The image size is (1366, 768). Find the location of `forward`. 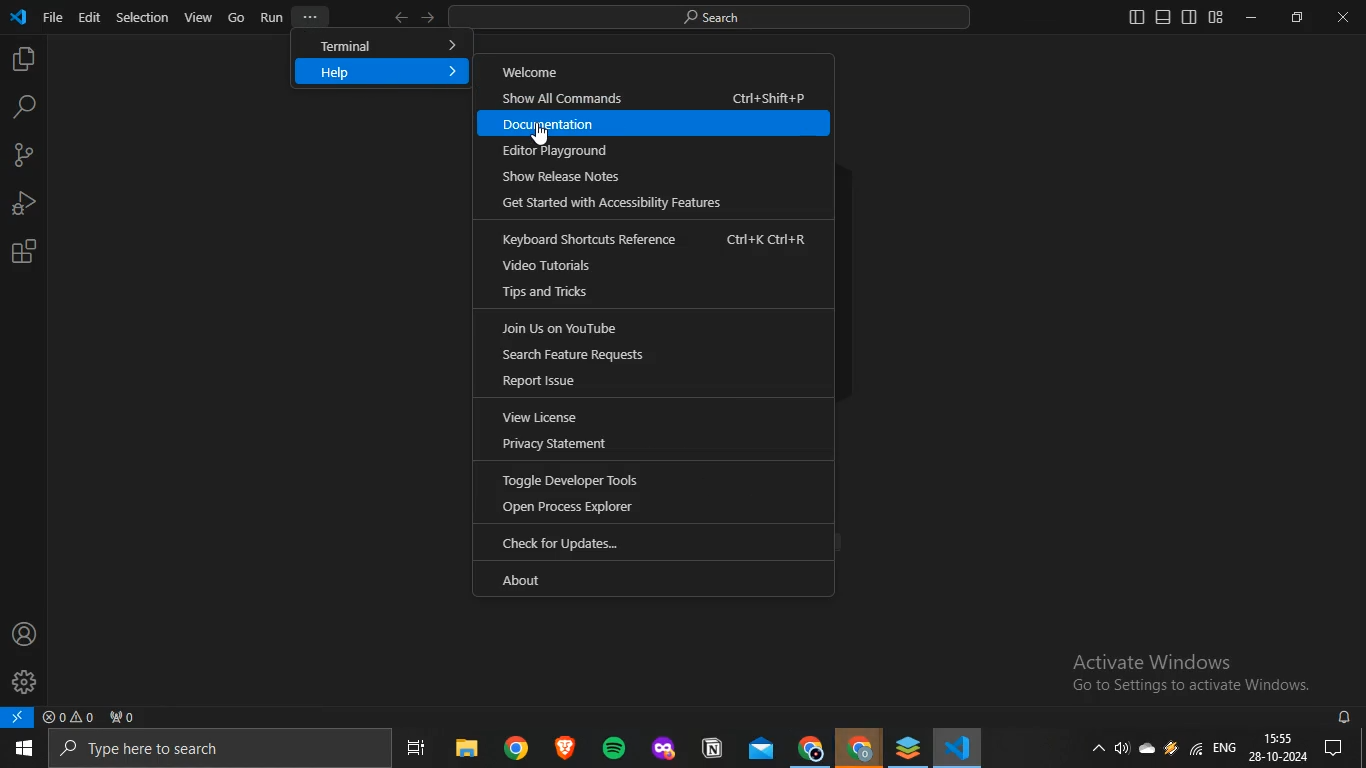

forward is located at coordinates (429, 17).